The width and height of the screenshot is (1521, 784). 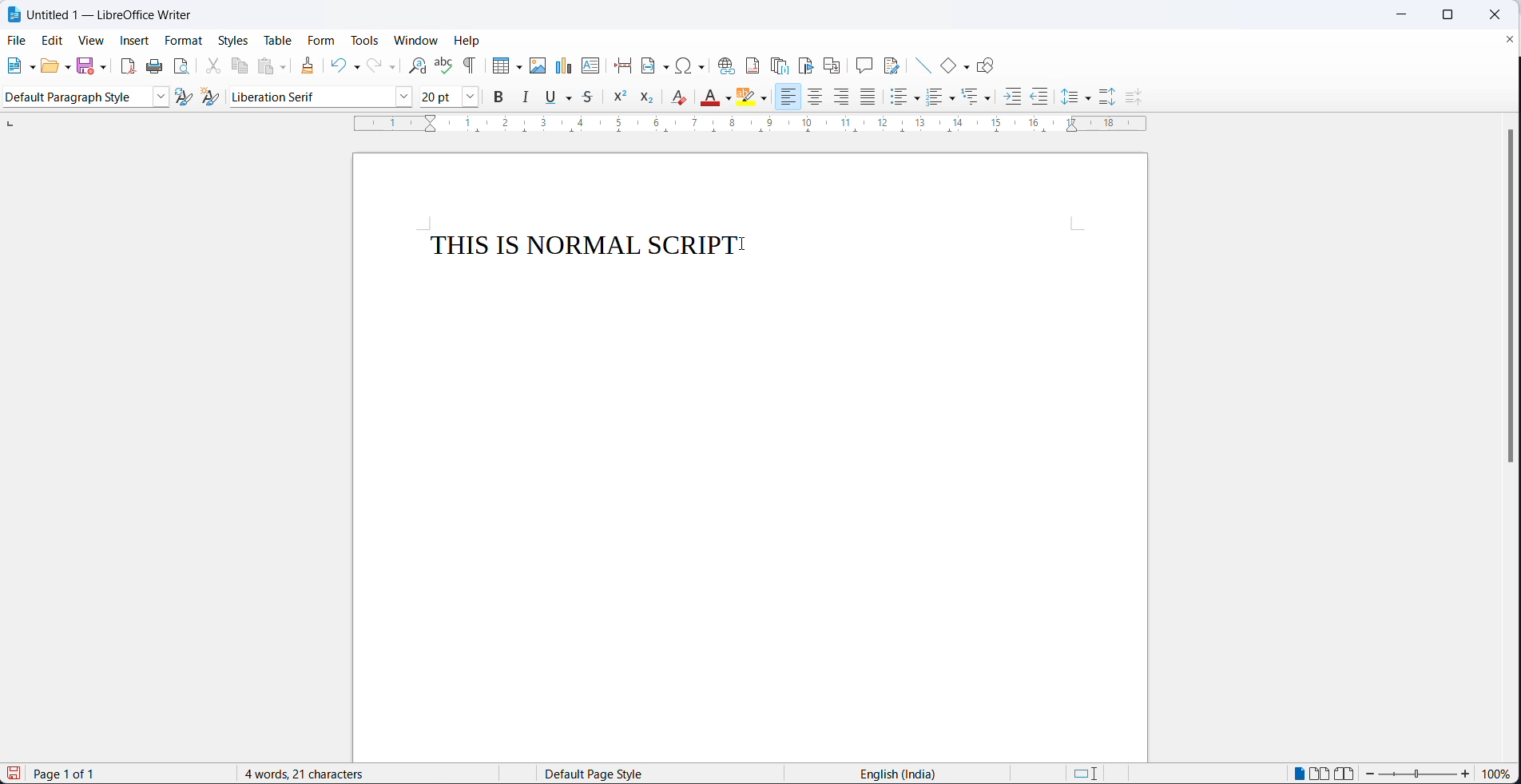 What do you see at coordinates (15, 774) in the screenshot?
I see `Save` at bounding box center [15, 774].